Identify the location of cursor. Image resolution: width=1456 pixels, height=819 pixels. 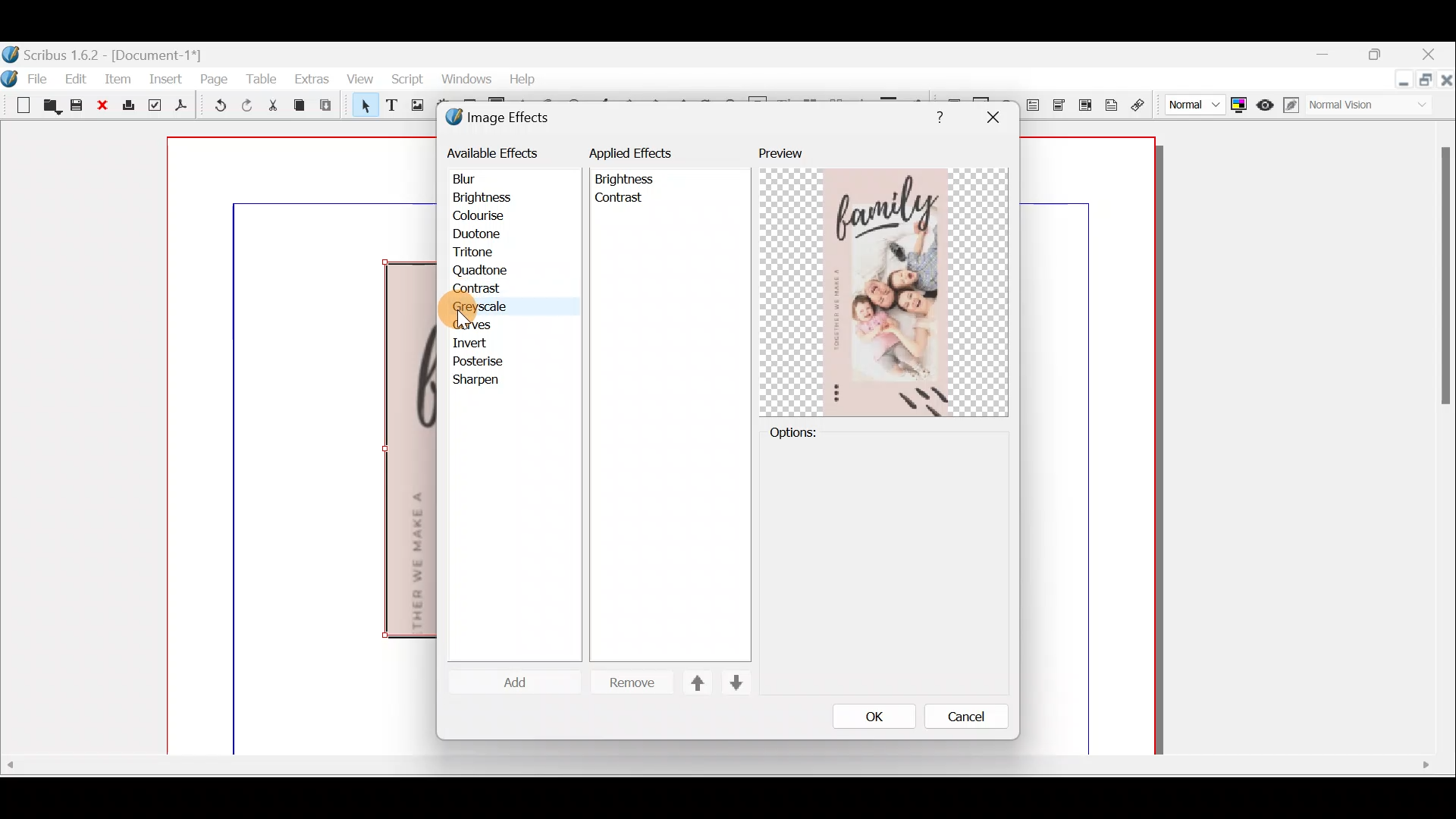
(464, 324).